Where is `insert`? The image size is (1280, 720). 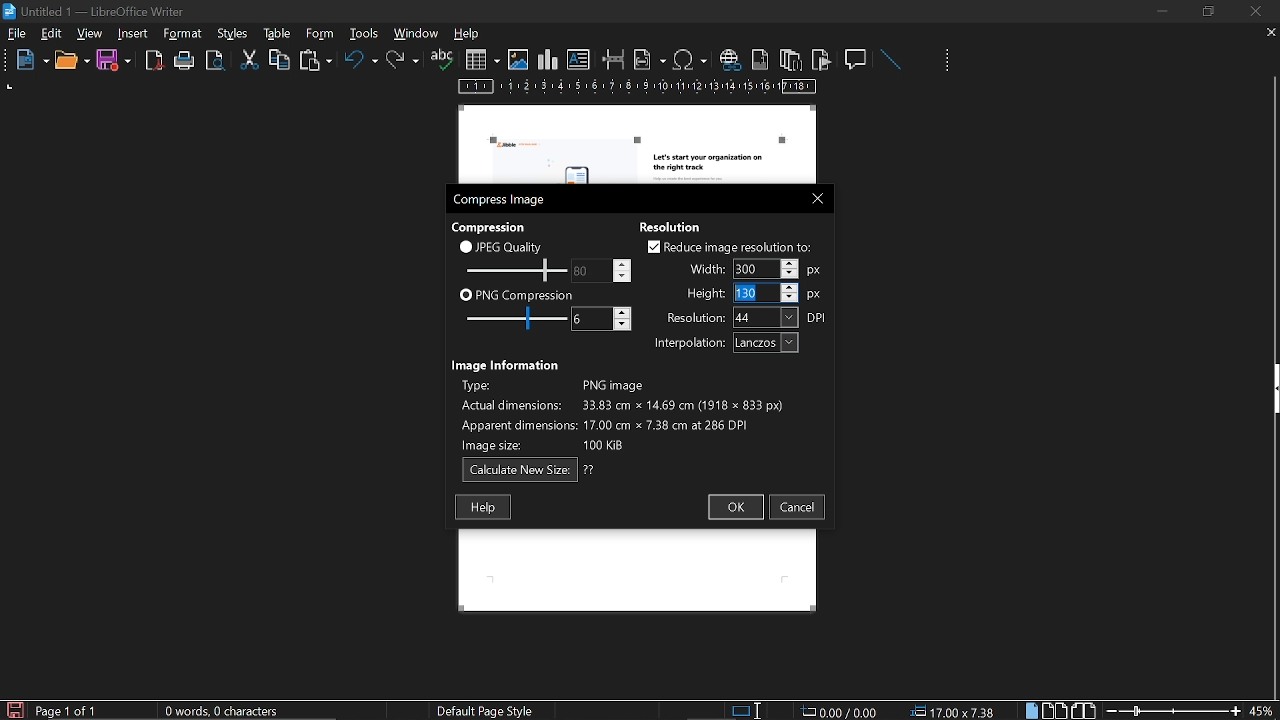
insert is located at coordinates (134, 34).